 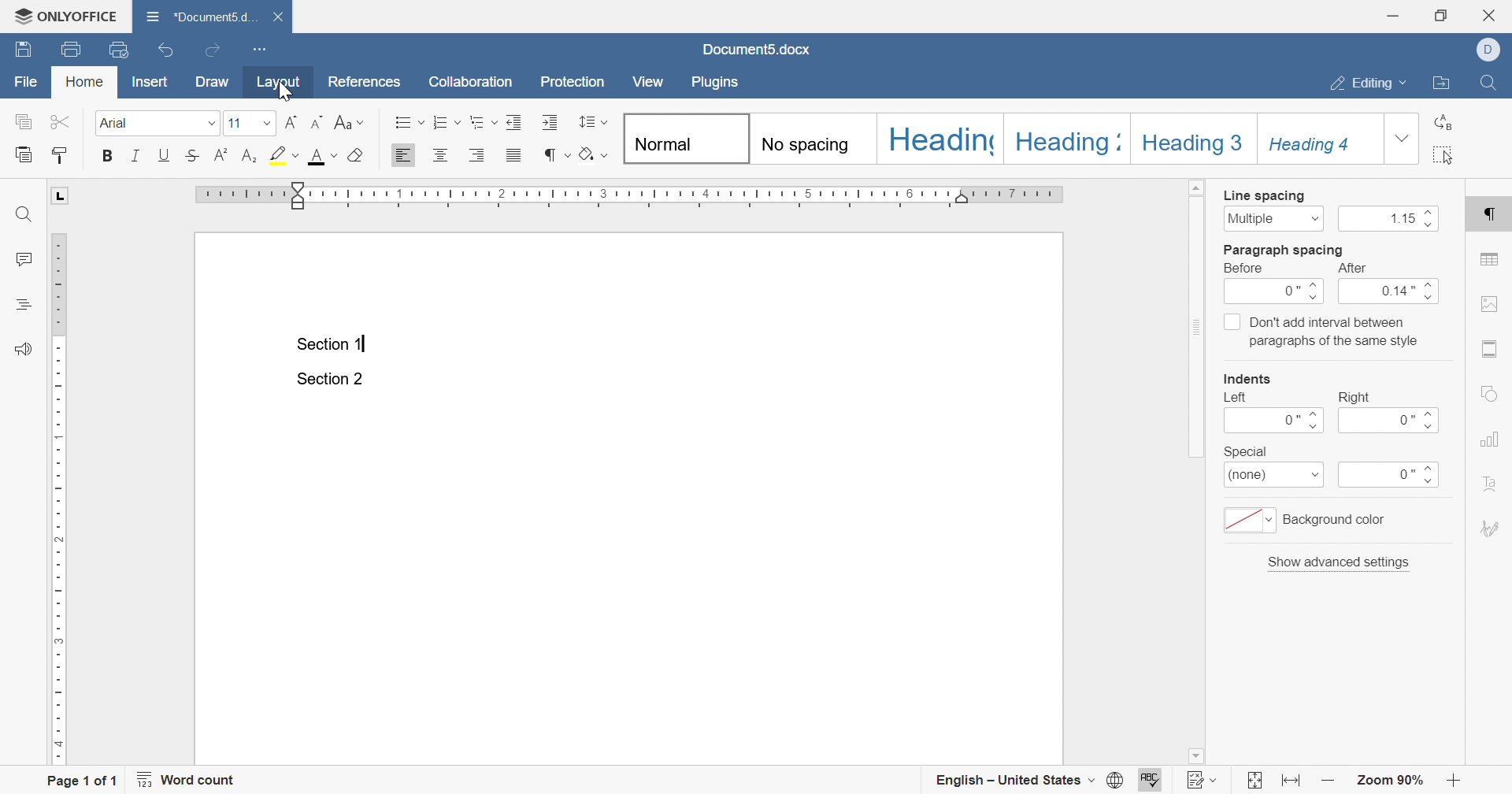 What do you see at coordinates (211, 124) in the screenshot?
I see `drop down` at bounding box center [211, 124].